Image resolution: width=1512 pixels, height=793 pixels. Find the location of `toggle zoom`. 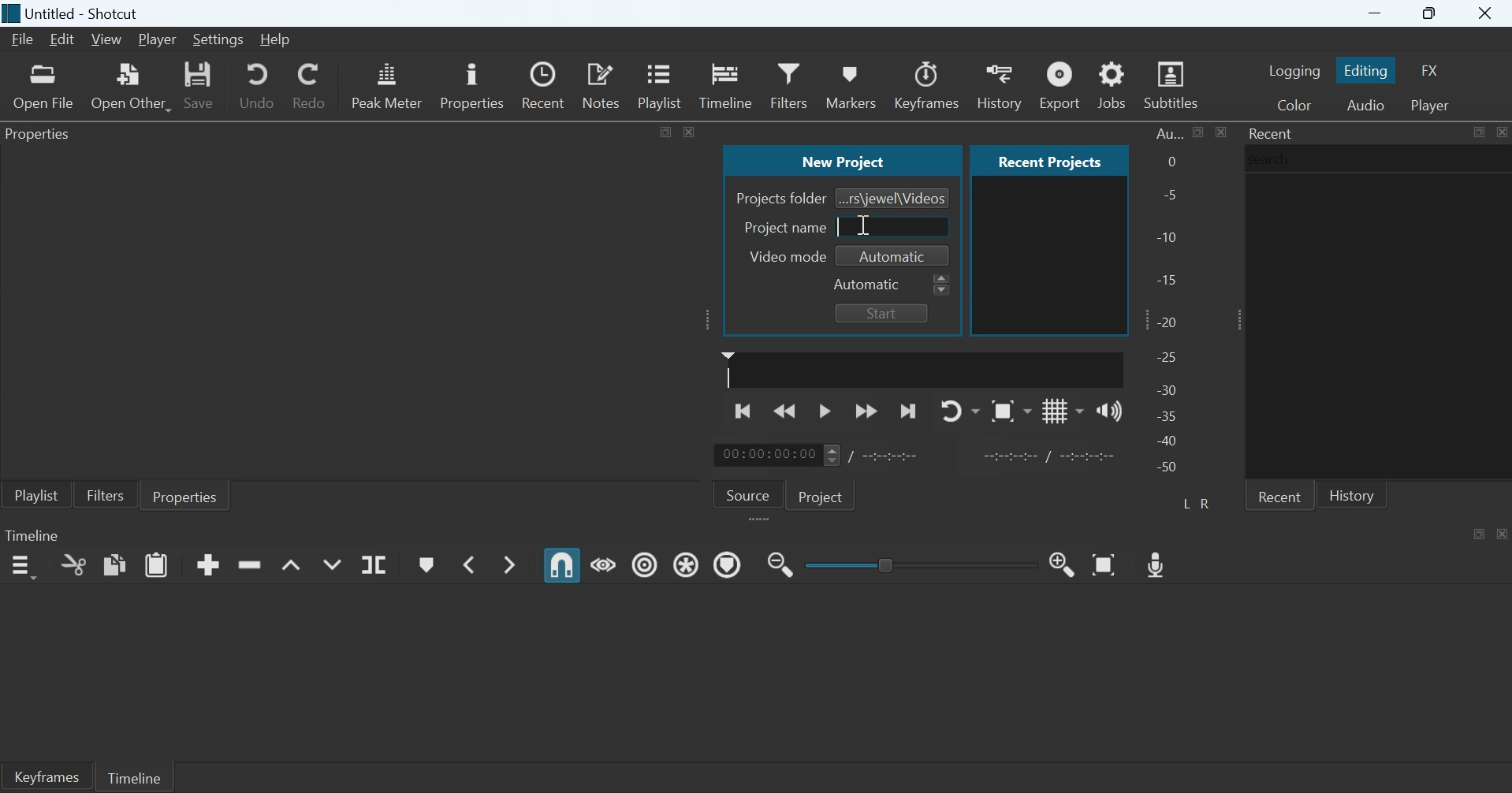

toggle zoom is located at coordinates (1011, 411).